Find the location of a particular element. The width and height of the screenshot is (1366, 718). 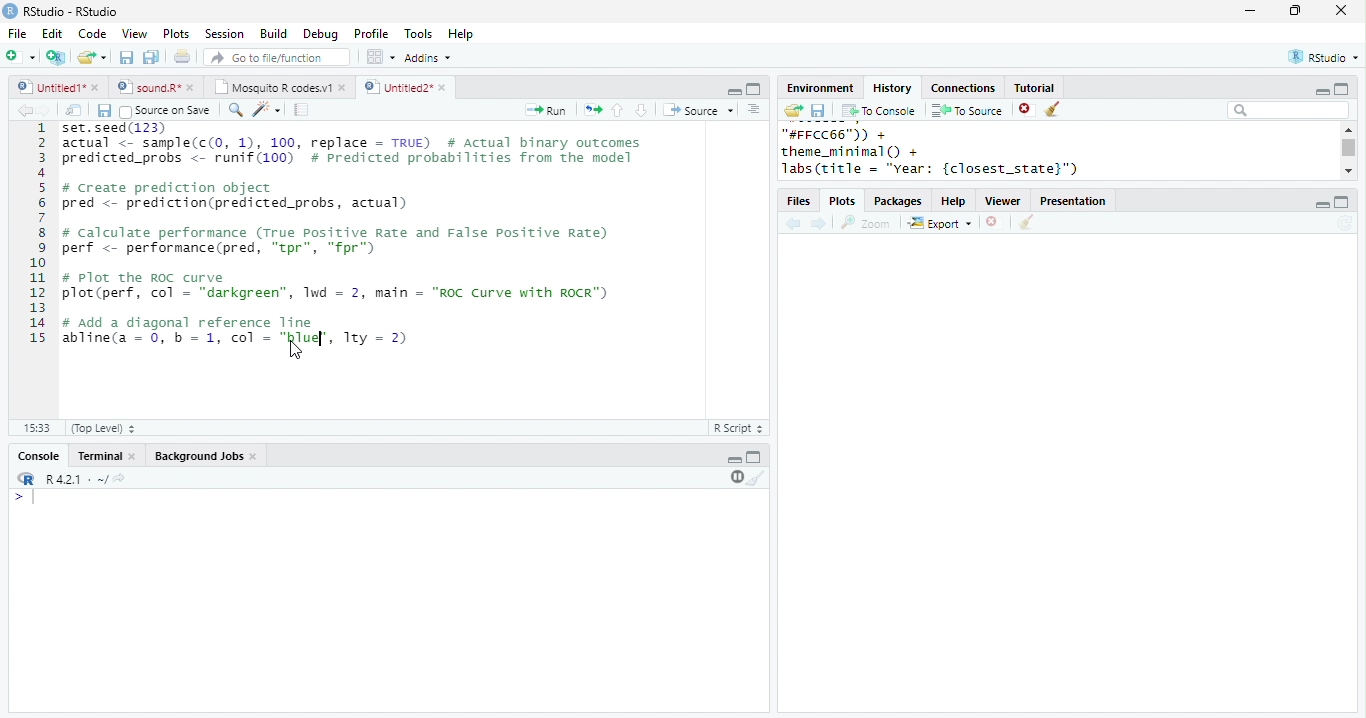

Untitled 2 is located at coordinates (397, 86).